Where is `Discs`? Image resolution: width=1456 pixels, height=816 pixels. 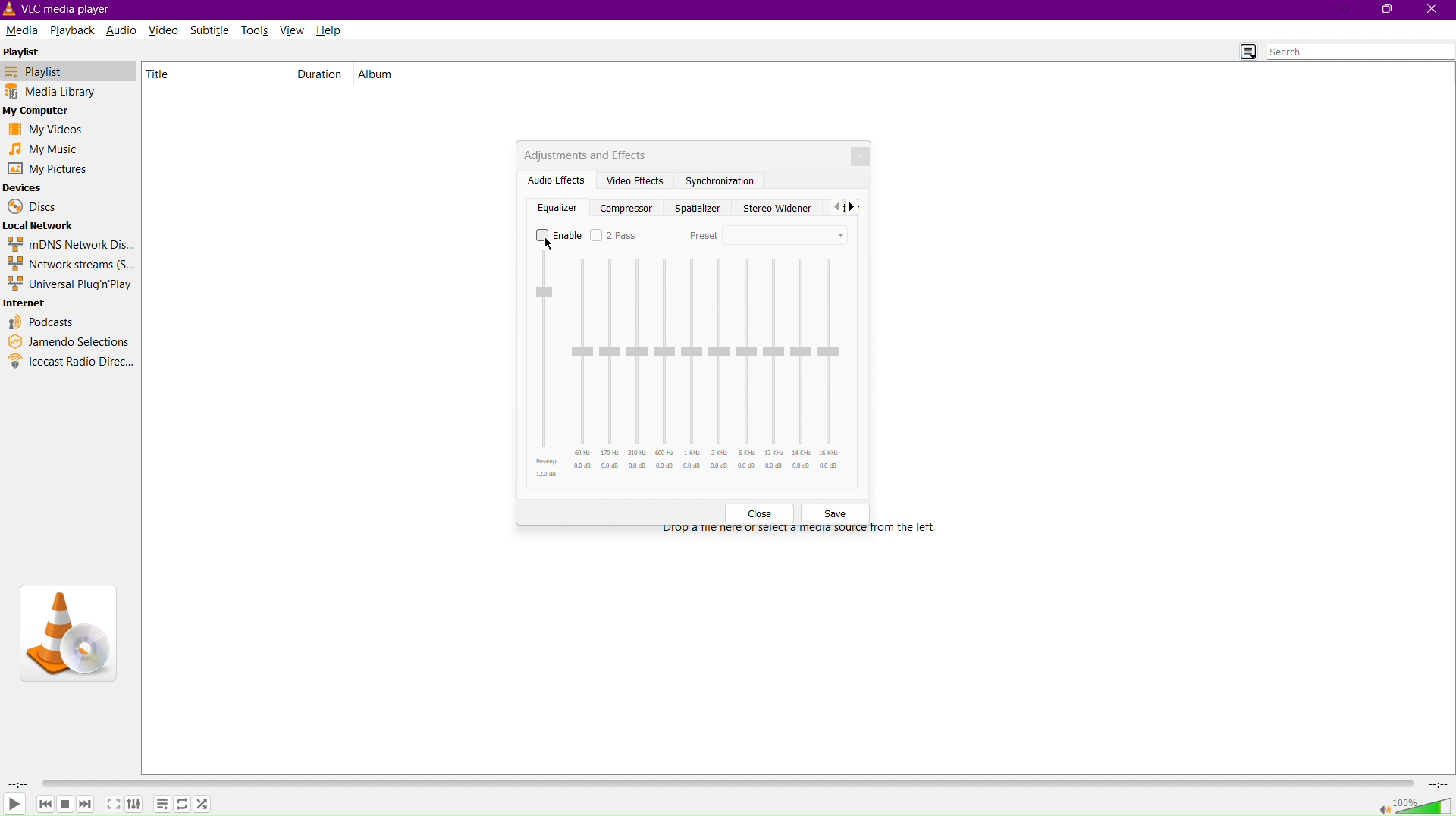 Discs is located at coordinates (27, 208).